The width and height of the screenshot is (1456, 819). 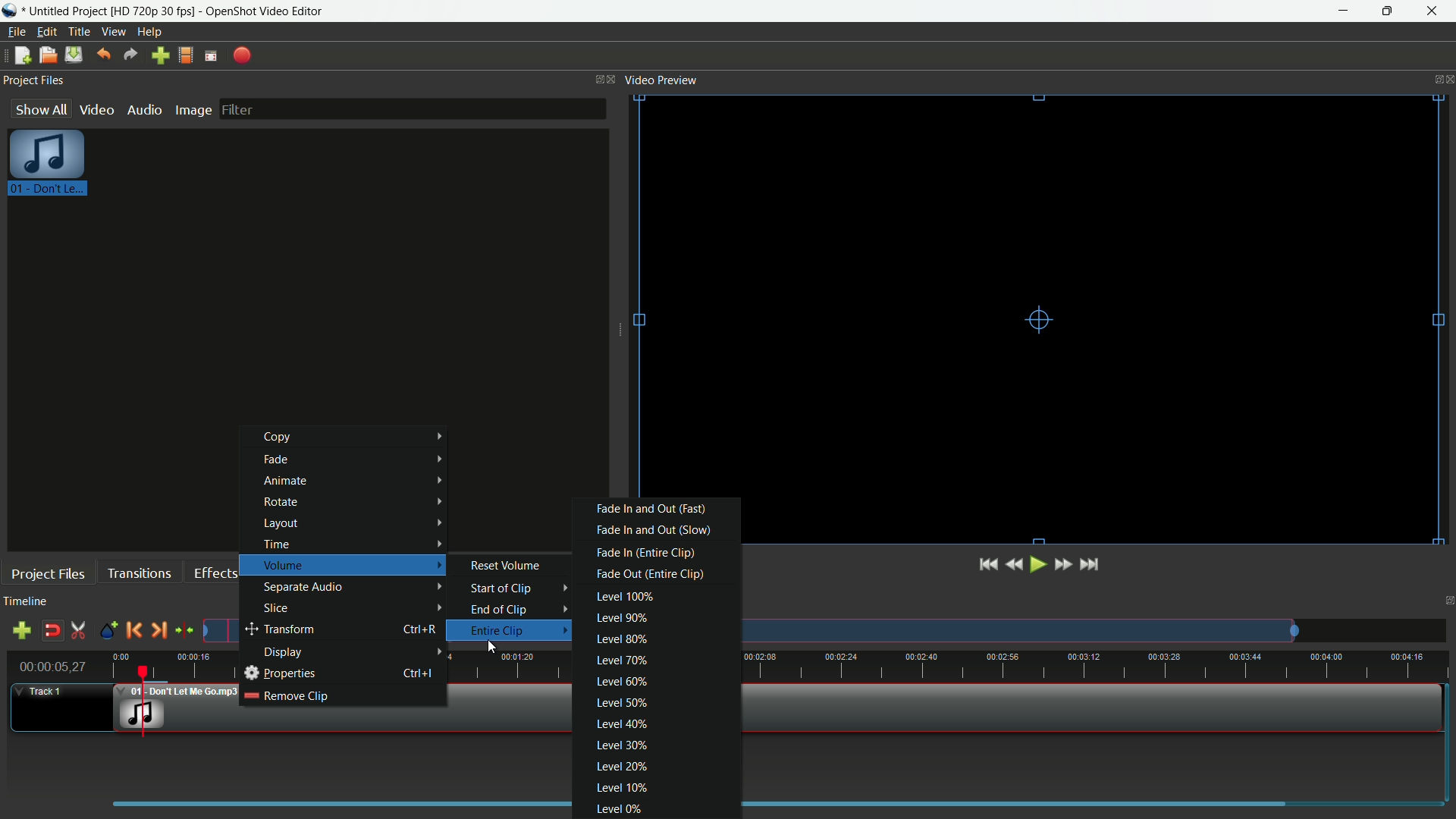 What do you see at coordinates (621, 787) in the screenshot?
I see `level 10%` at bounding box center [621, 787].